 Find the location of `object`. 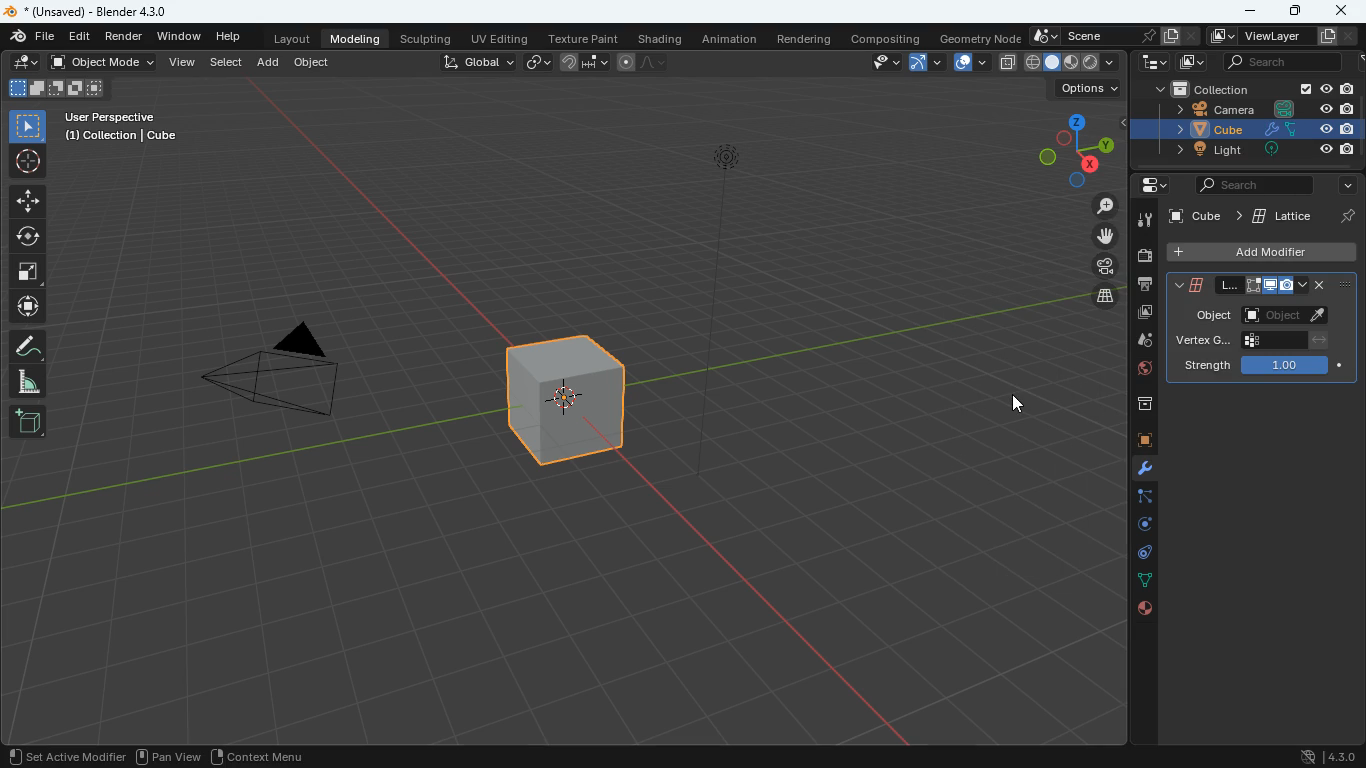

object is located at coordinates (1264, 314).